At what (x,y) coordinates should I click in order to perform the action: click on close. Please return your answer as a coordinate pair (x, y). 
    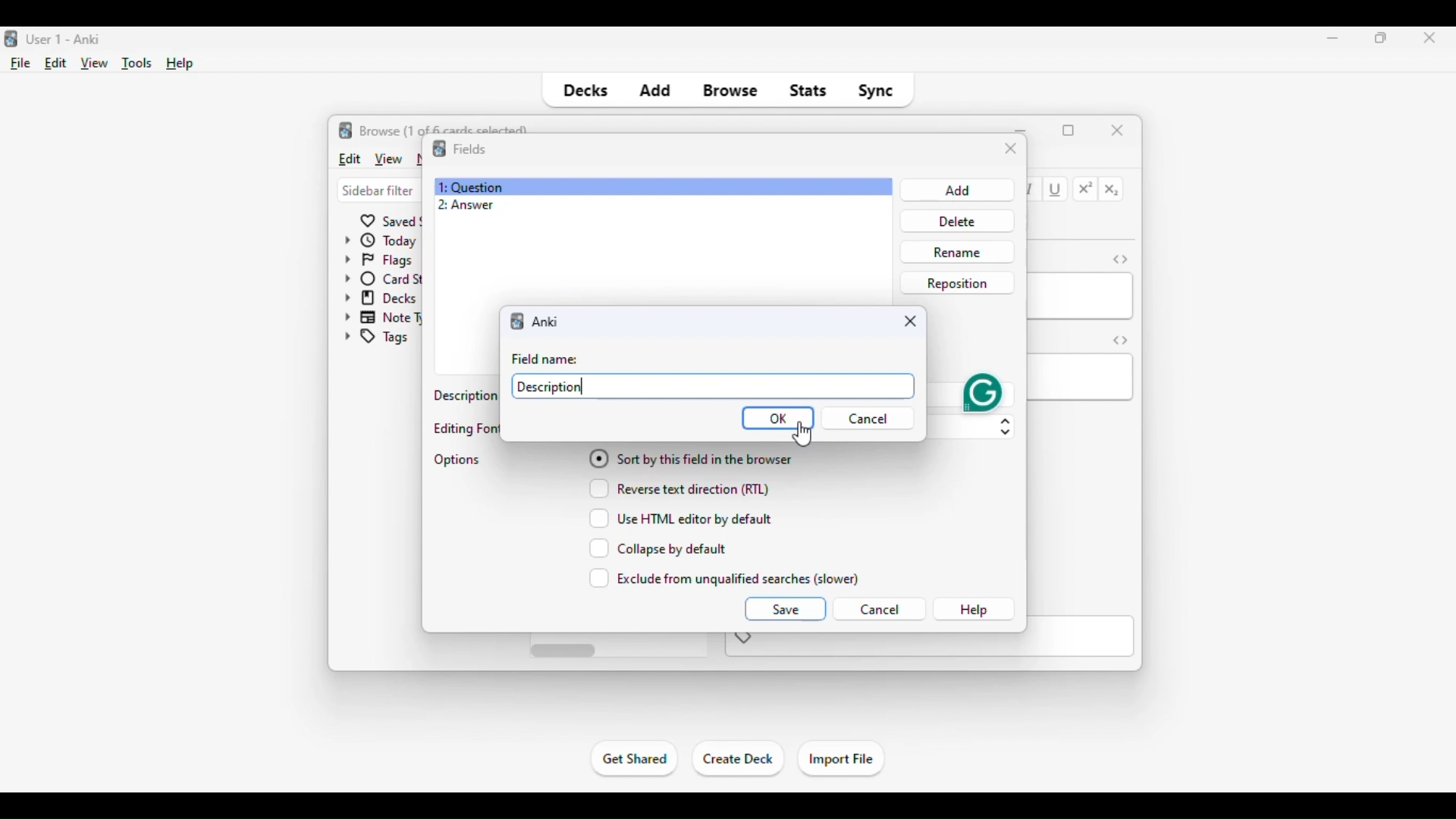
    Looking at the image, I should click on (1118, 129).